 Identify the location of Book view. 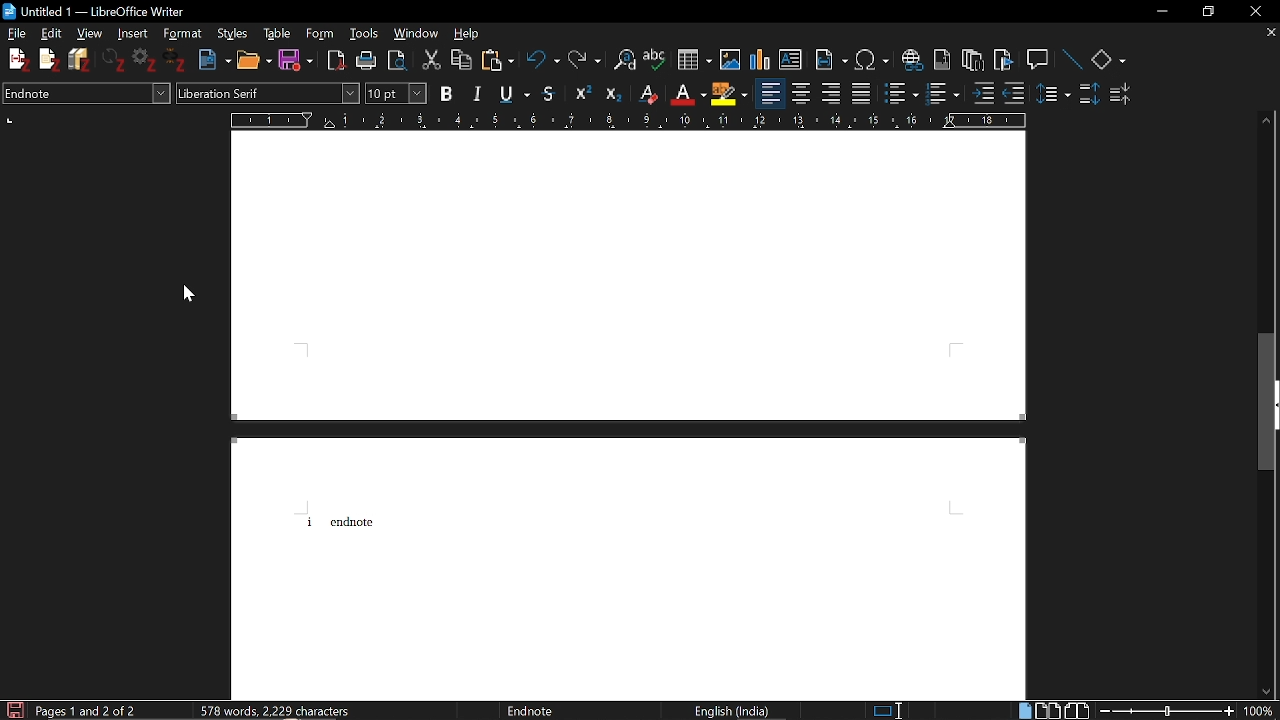
(1076, 711).